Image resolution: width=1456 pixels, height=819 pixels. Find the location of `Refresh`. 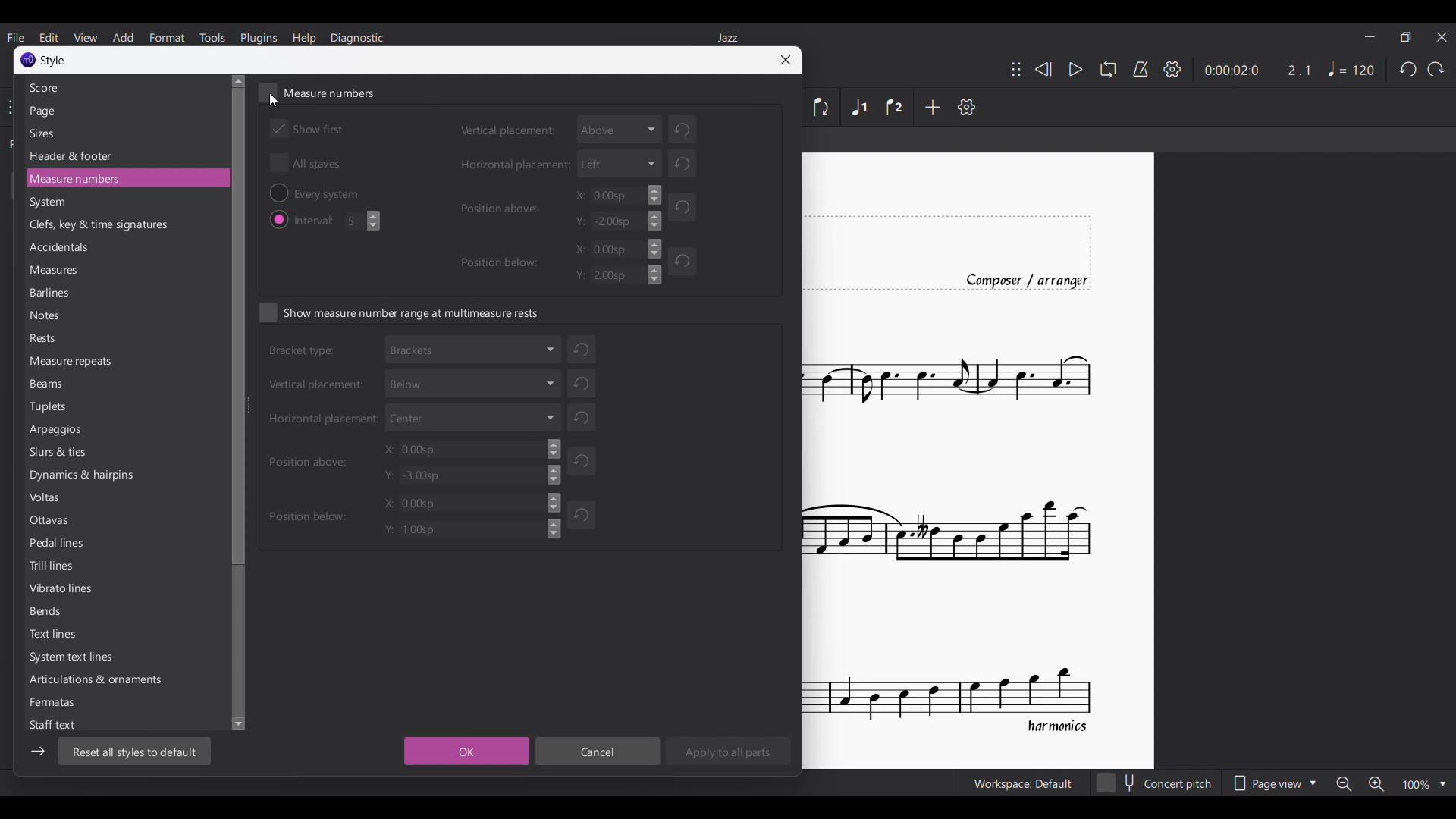

Refresh is located at coordinates (585, 419).